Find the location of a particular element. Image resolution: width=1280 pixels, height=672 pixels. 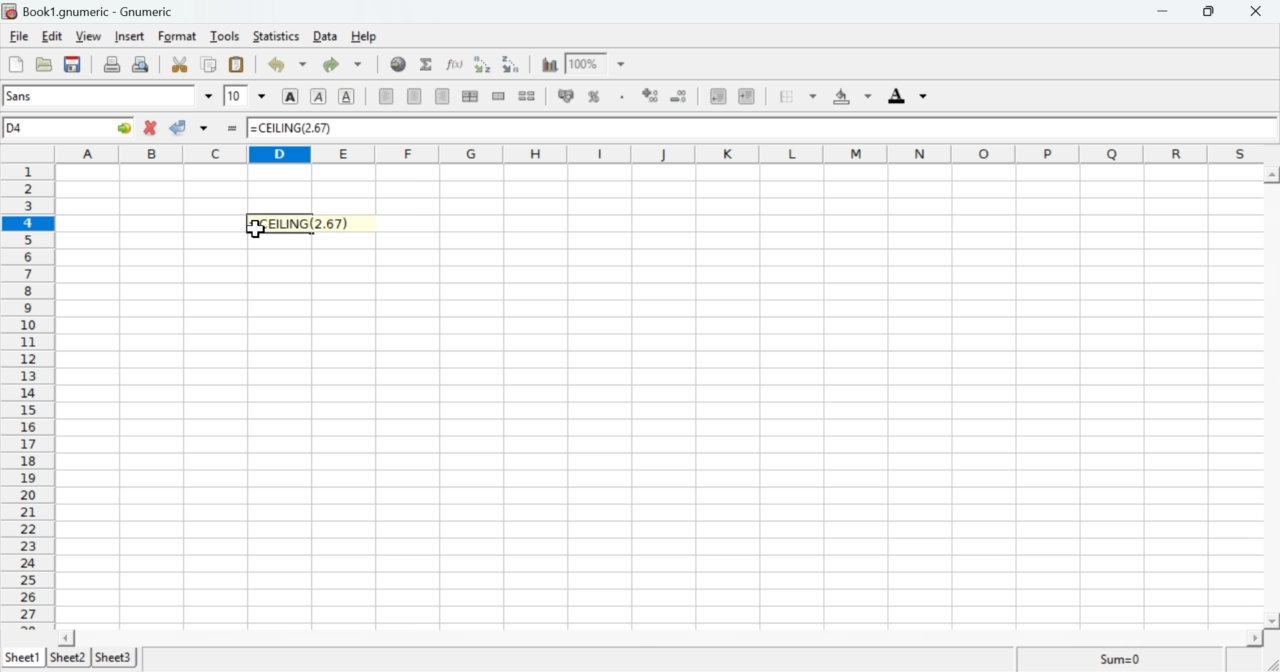

Cancel change is located at coordinates (151, 129).